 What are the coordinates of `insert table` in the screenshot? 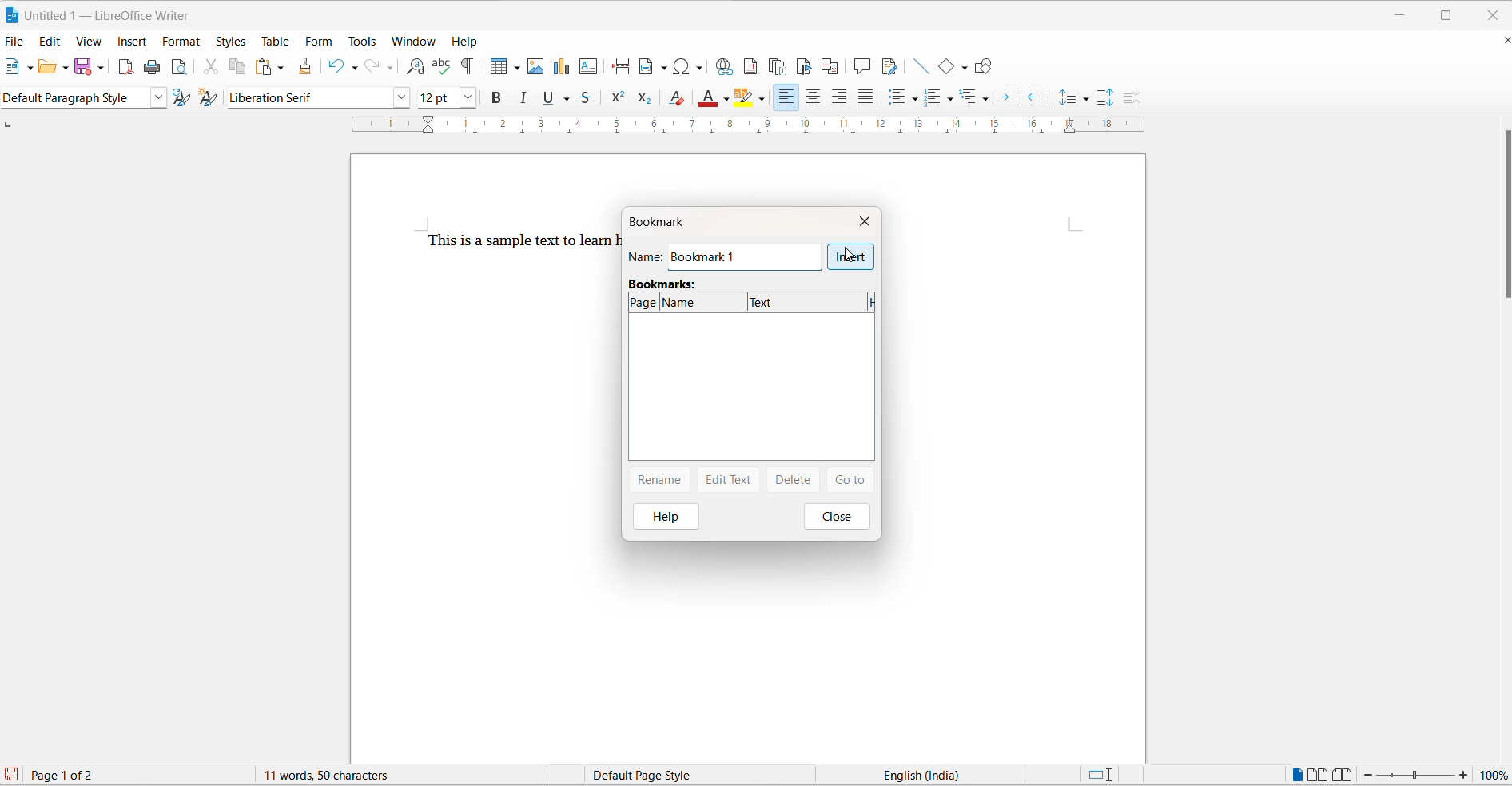 It's located at (495, 66).